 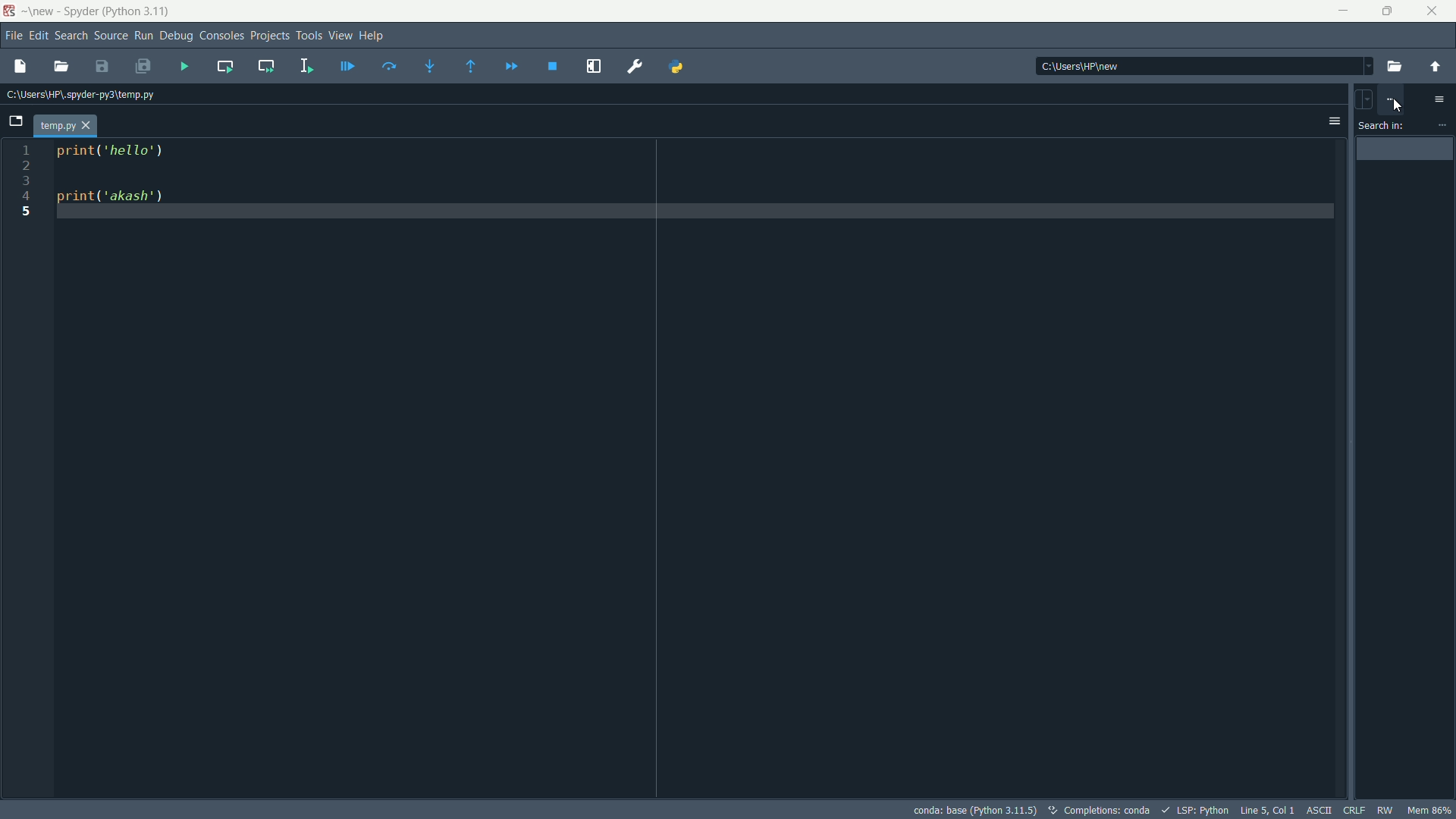 I want to click on Find in file settings, so click(x=1390, y=99).